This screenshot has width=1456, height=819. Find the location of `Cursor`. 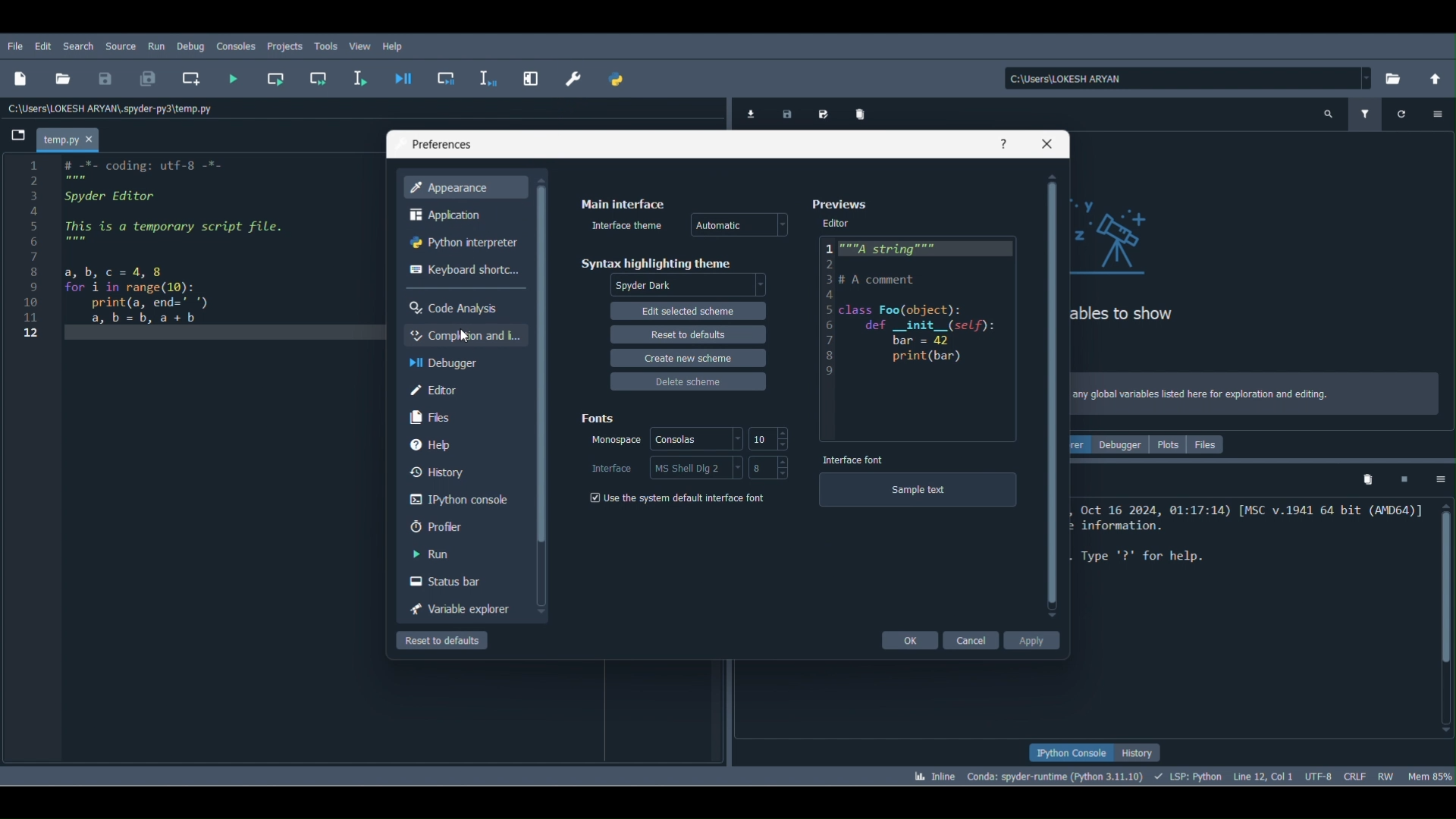

Cursor is located at coordinates (464, 334).